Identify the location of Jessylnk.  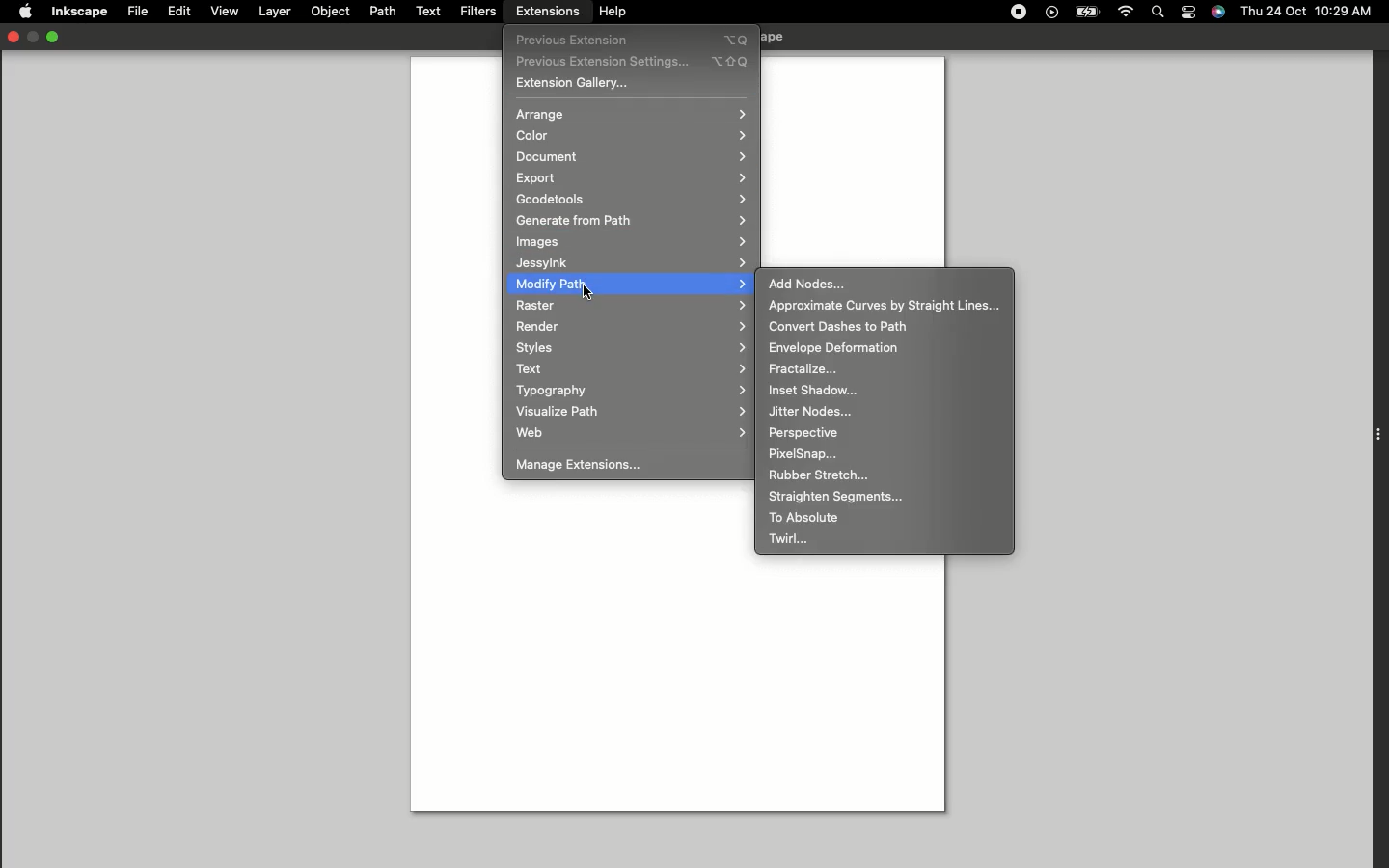
(630, 265).